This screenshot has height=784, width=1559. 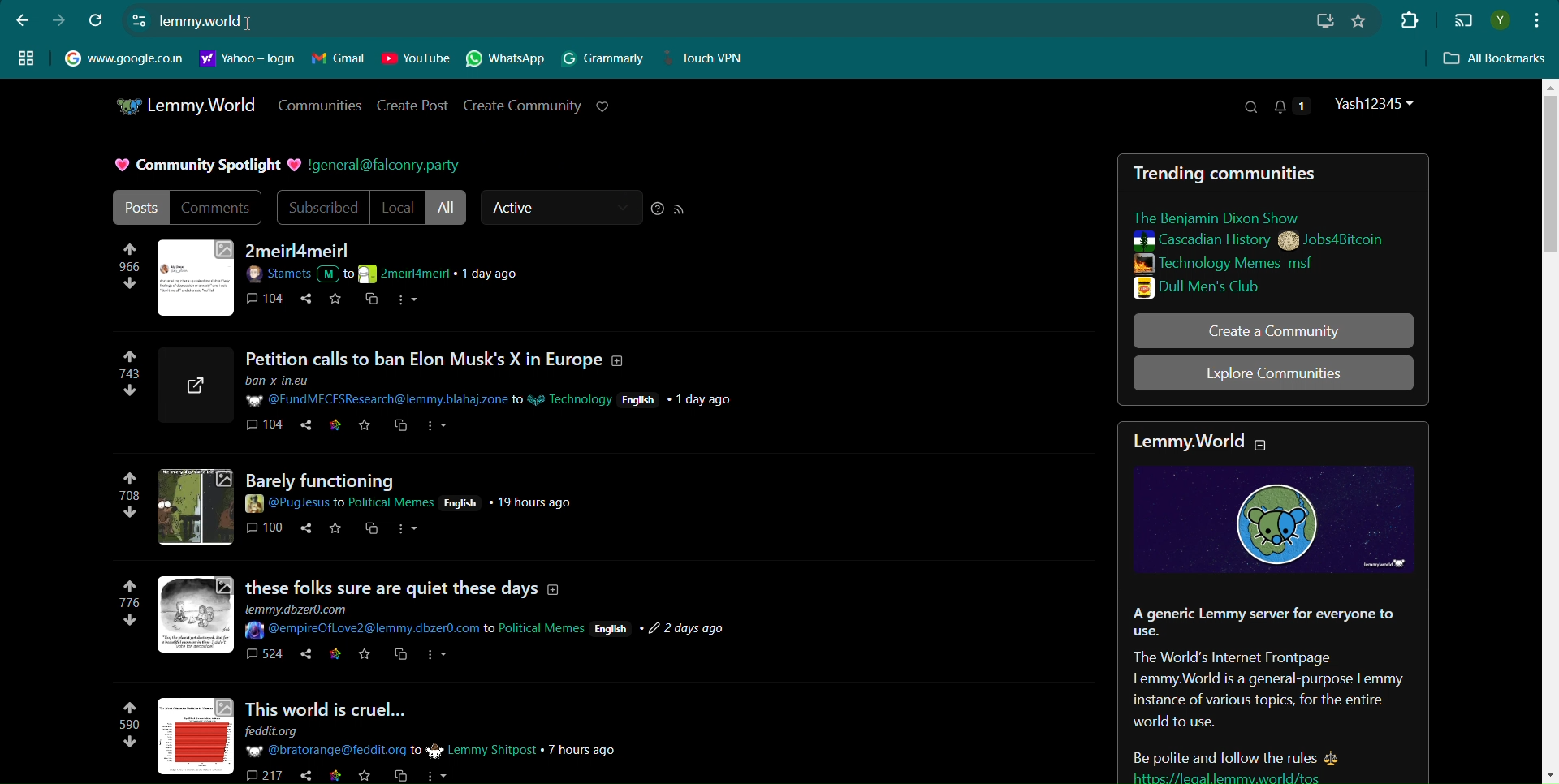 What do you see at coordinates (401, 658) in the screenshot?
I see `copy` at bounding box center [401, 658].